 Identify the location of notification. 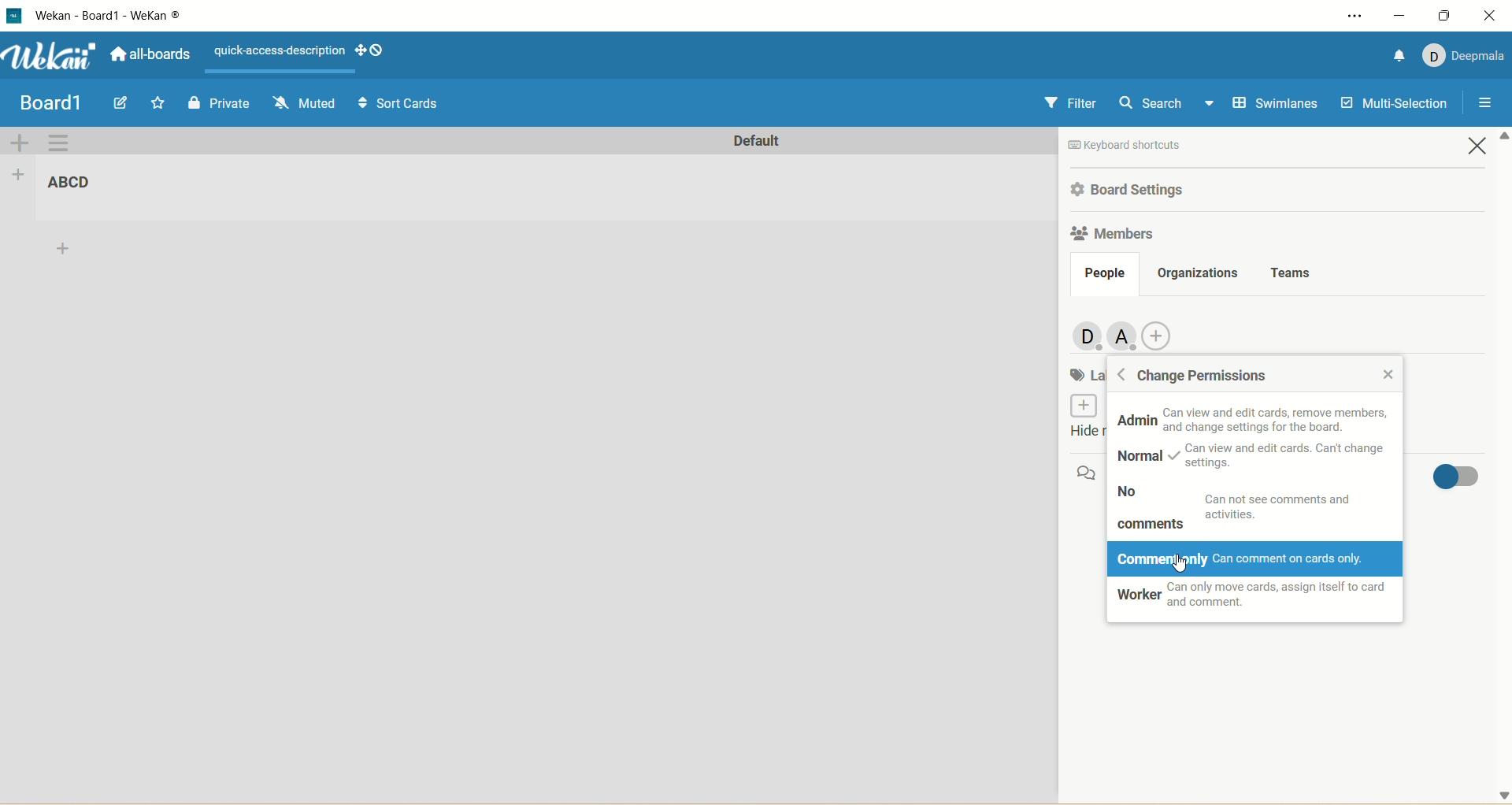
(1396, 54).